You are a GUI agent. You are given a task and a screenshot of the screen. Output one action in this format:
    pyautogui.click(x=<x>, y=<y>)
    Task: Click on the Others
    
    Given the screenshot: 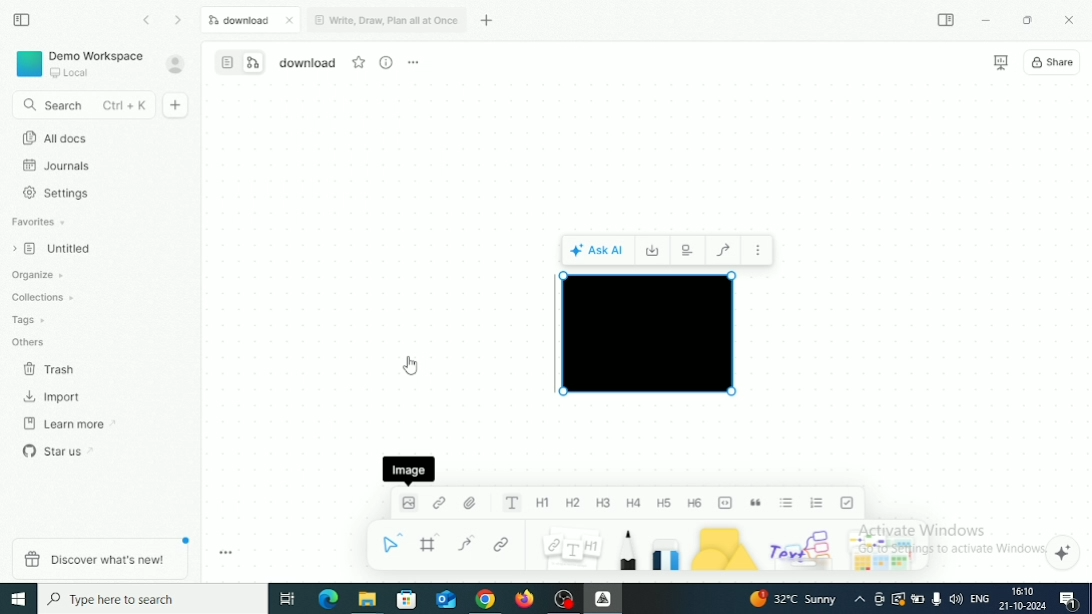 What is the action you would take?
    pyautogui.click(x=803, y=547)
    